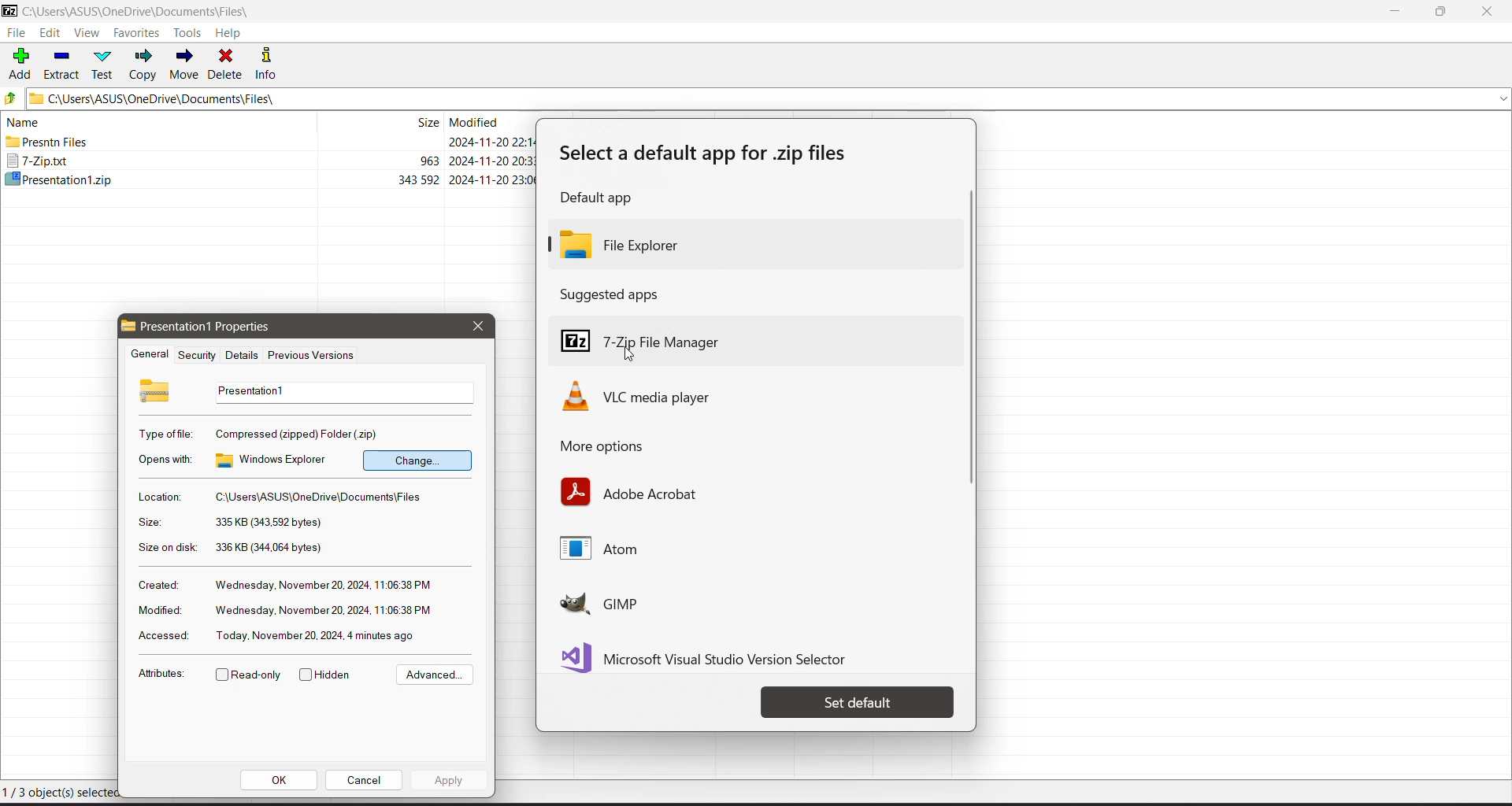 This screenshot has width=1512, height=806. I want to click on Tools, so click(190, 32).